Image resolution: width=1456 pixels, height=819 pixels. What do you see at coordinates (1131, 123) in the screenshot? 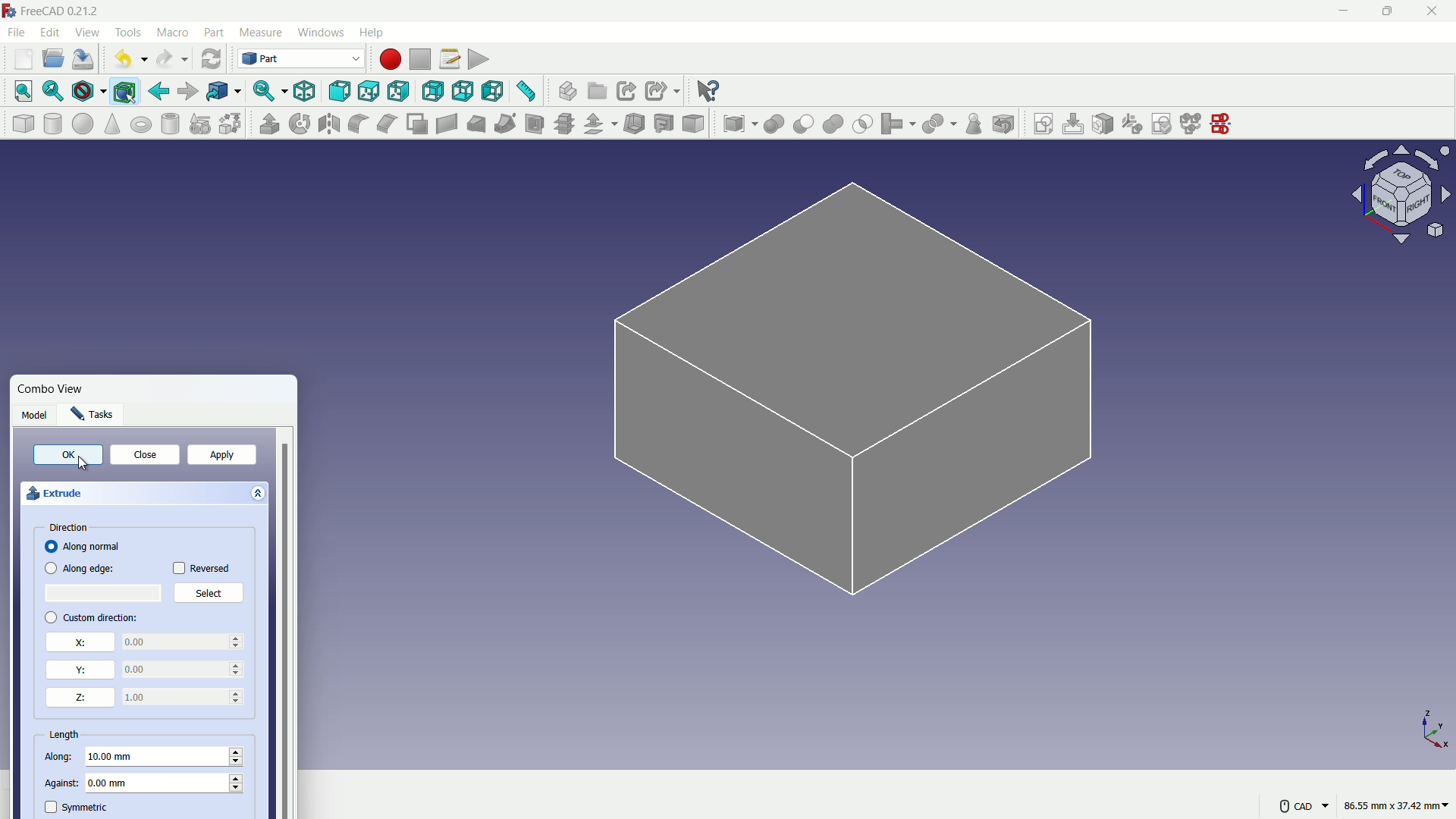
I see `reorient sketch` at bounding box center [1131, 123].